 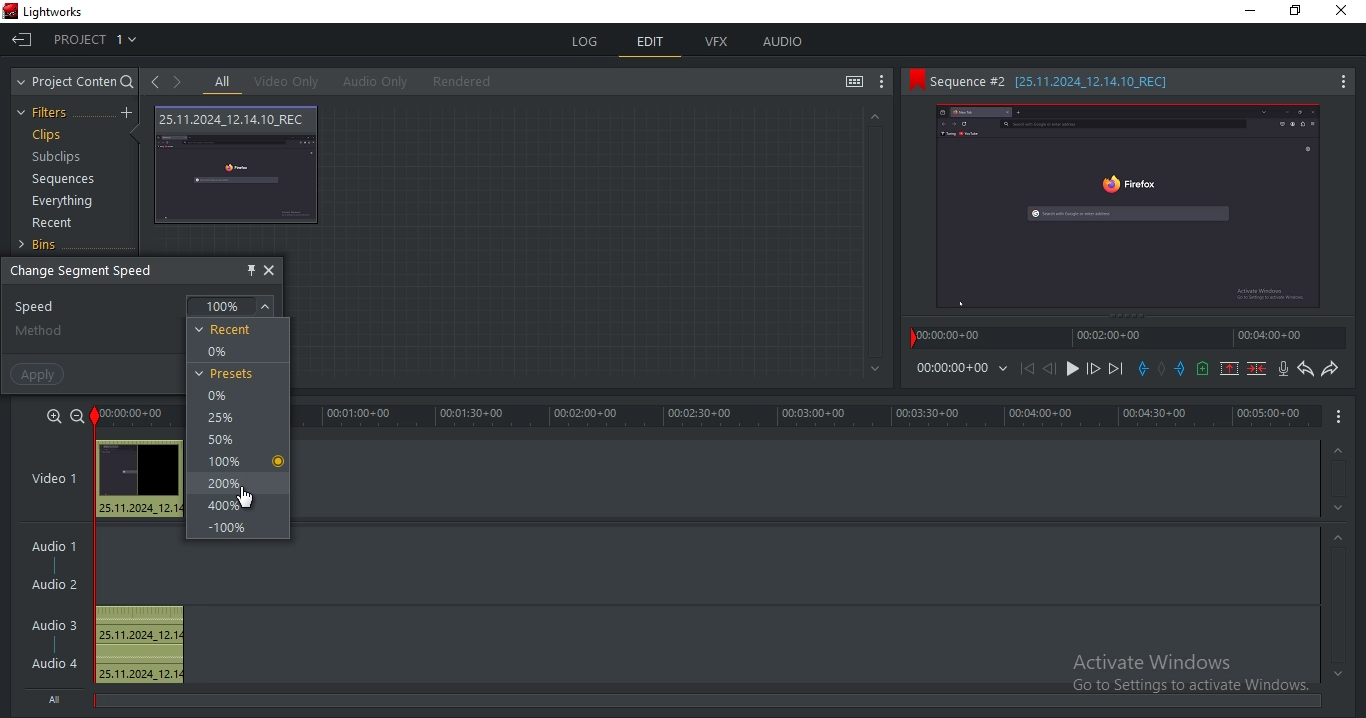 What do you see at coordinates (229, 373) in the screenshot?
I see `presets` at bounding box center [229, 373].